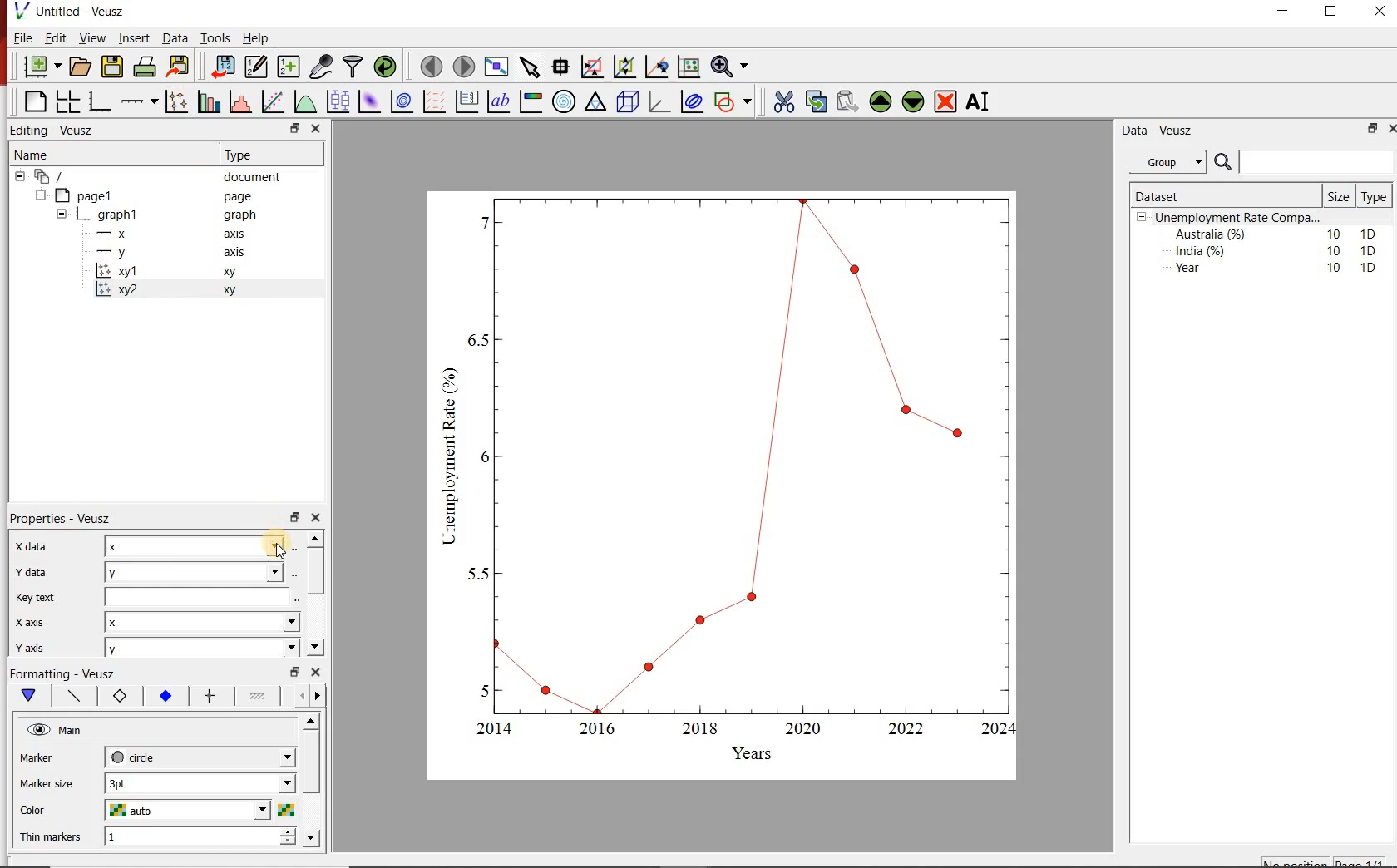 The width and height of the screenshot is (1397, 868). I want to click on move down, so click(314, 646).